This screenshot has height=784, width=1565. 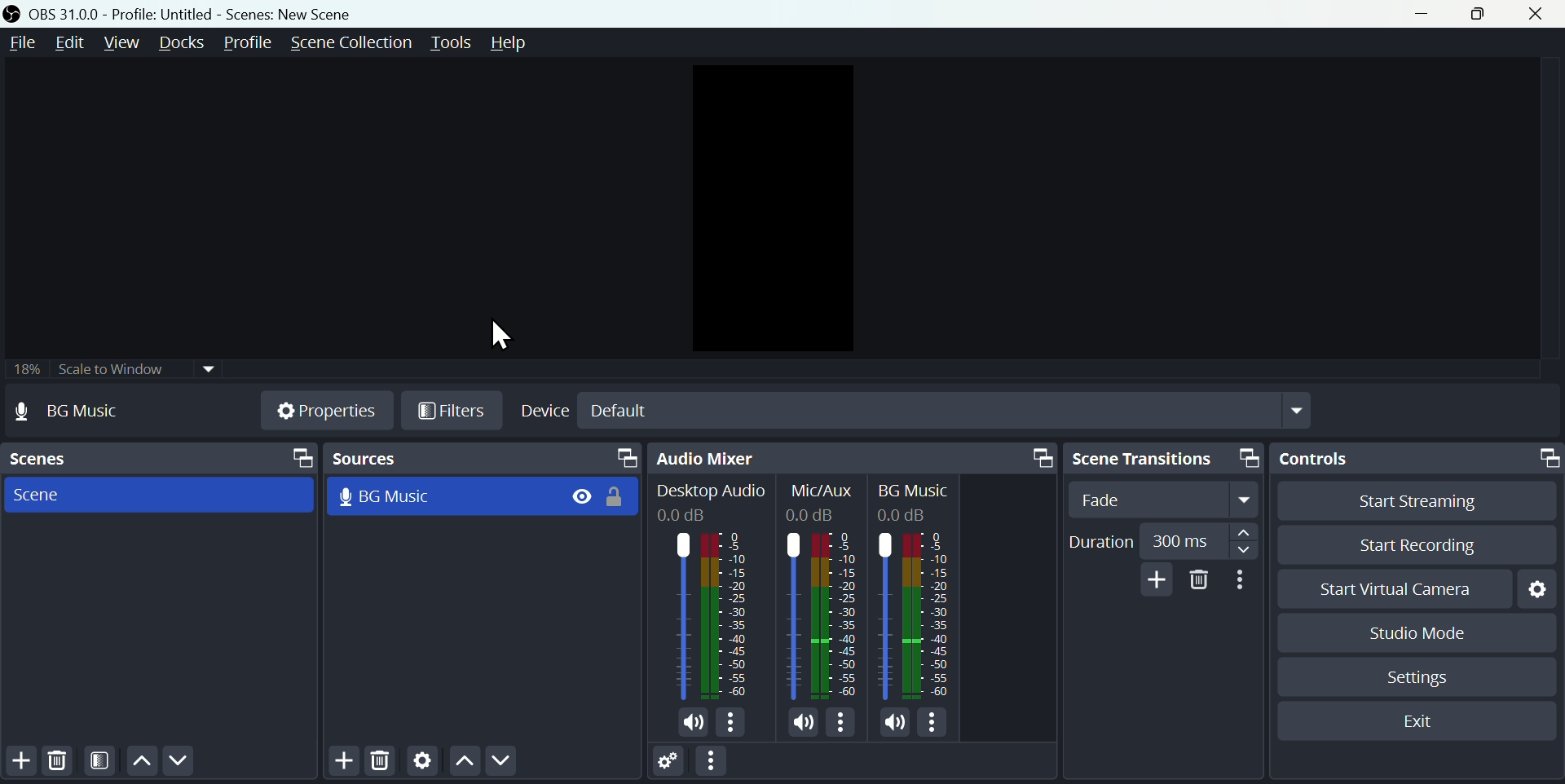 I want to click on Add, so click(x=342, y=763).